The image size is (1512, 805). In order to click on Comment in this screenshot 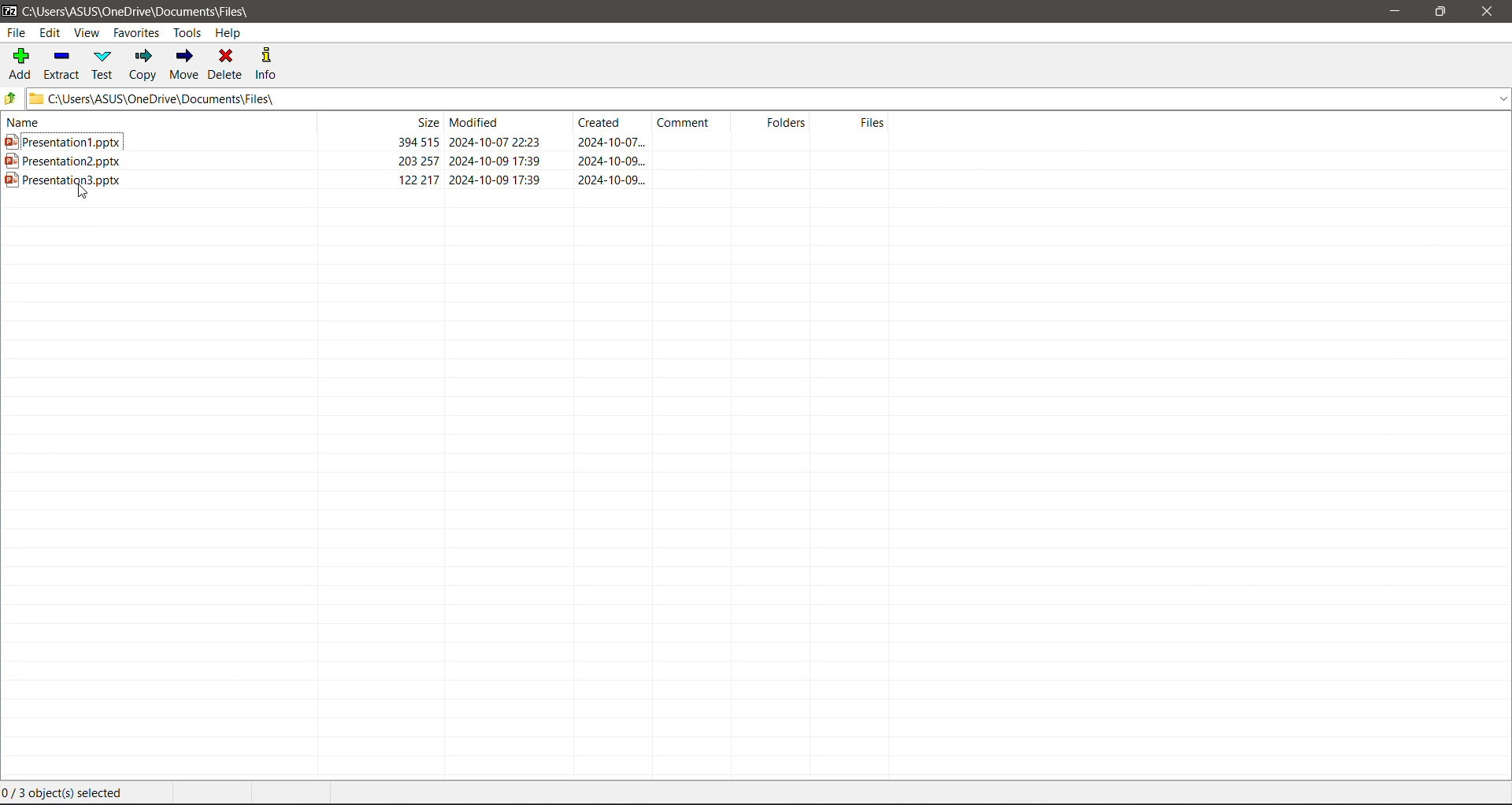, I will do `click(695, 122)`.